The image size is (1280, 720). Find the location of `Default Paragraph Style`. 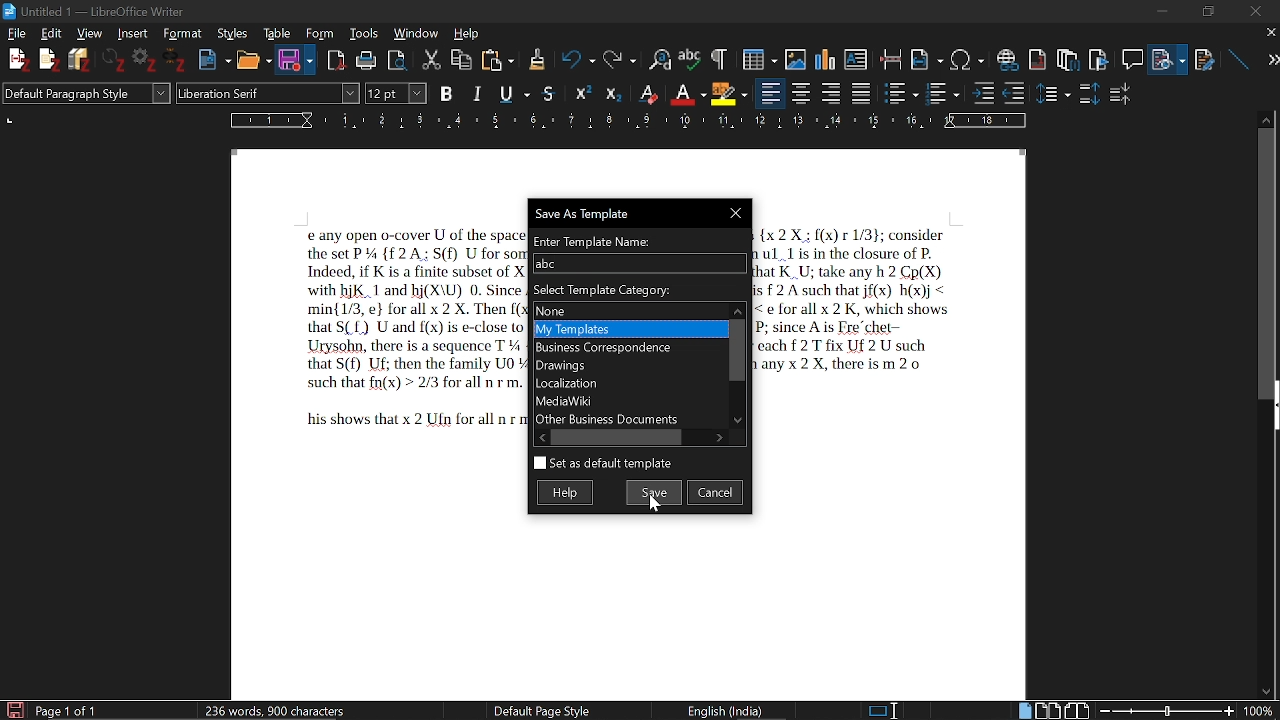

Default Paragraph Style is located at coordinates (84, 95).